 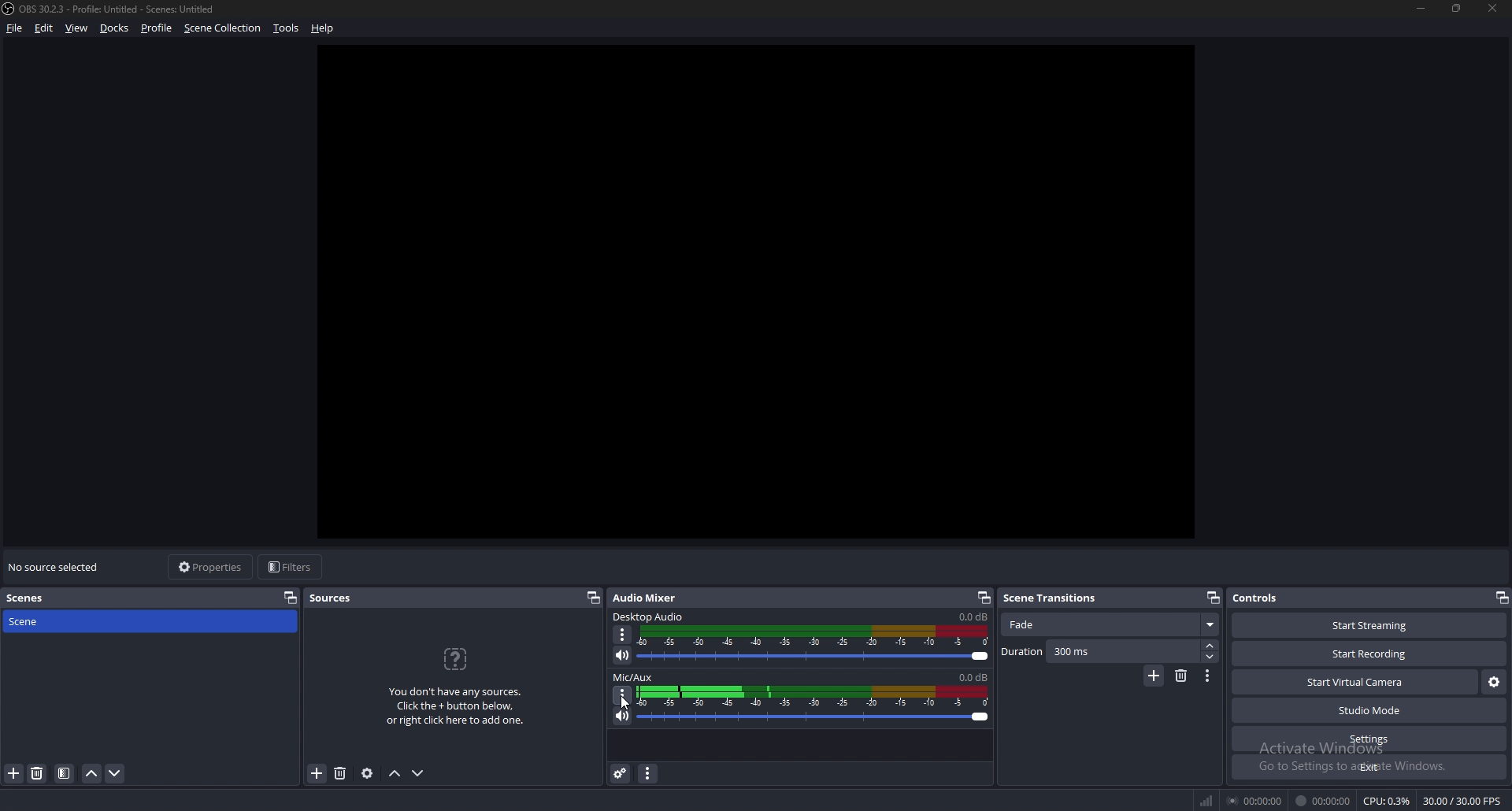 What do you see at coordinates (1055, 599) in the screenshot?
I see `scene transitions` at bounding box center [1055, 599].